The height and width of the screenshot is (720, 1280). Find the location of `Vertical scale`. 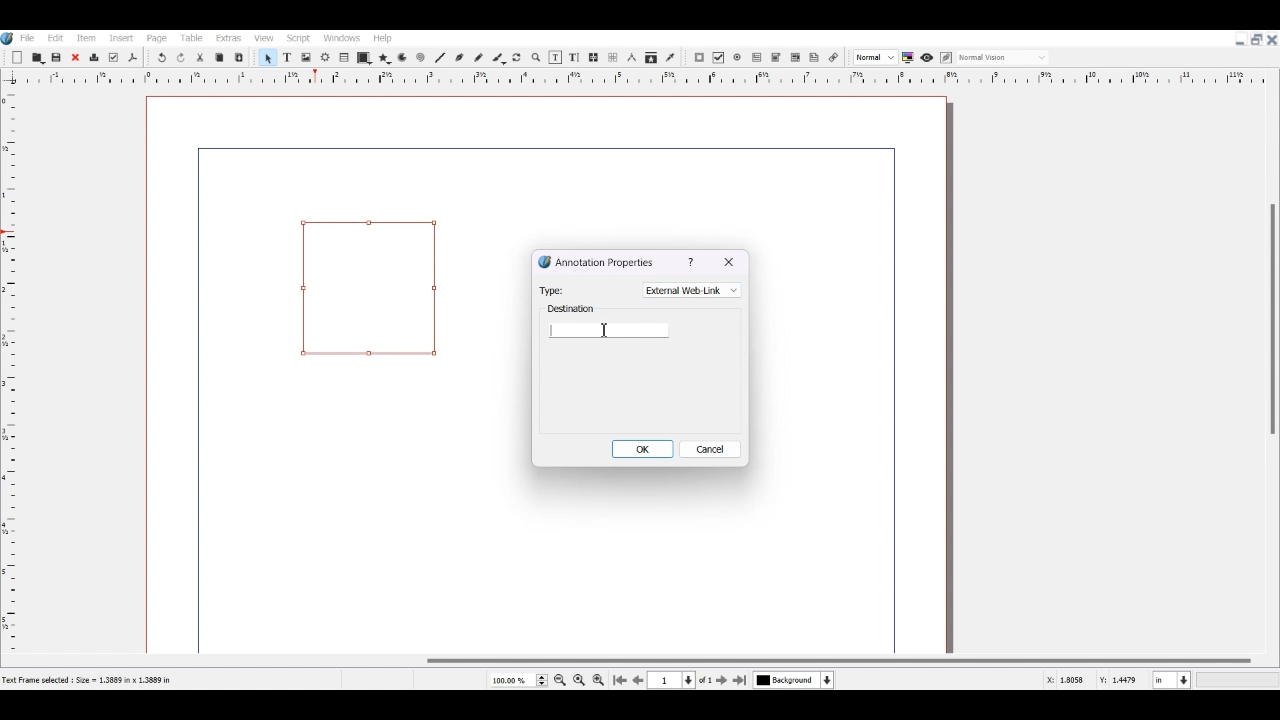

Vertical scale is located at coordinates (628, 79).